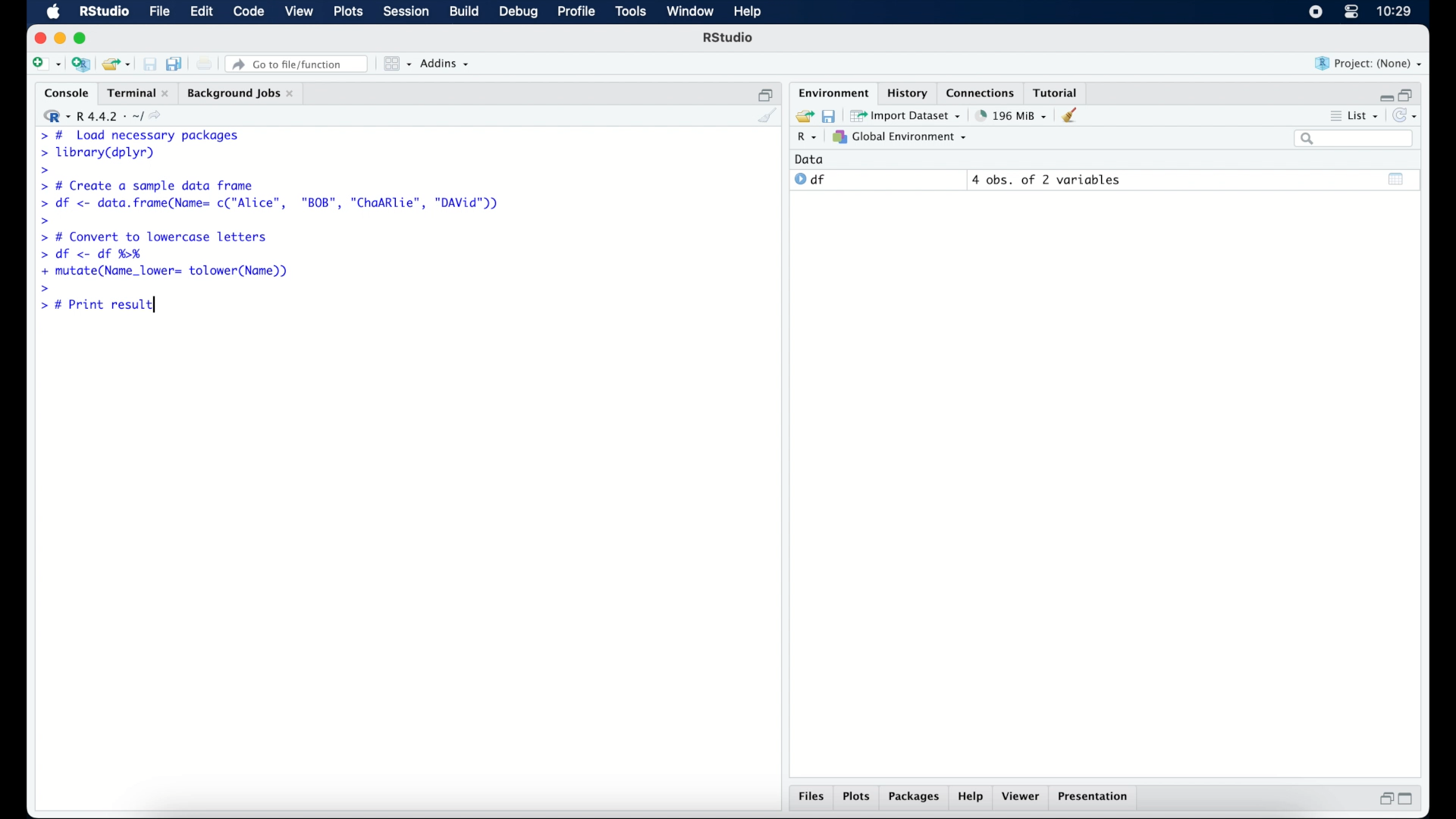 The height and width of the screenshot is (819, 1456). What do you see at coordinates (1059, 92) in the screenshot?
I see `tutorial` at bounding box center [1059, 92].